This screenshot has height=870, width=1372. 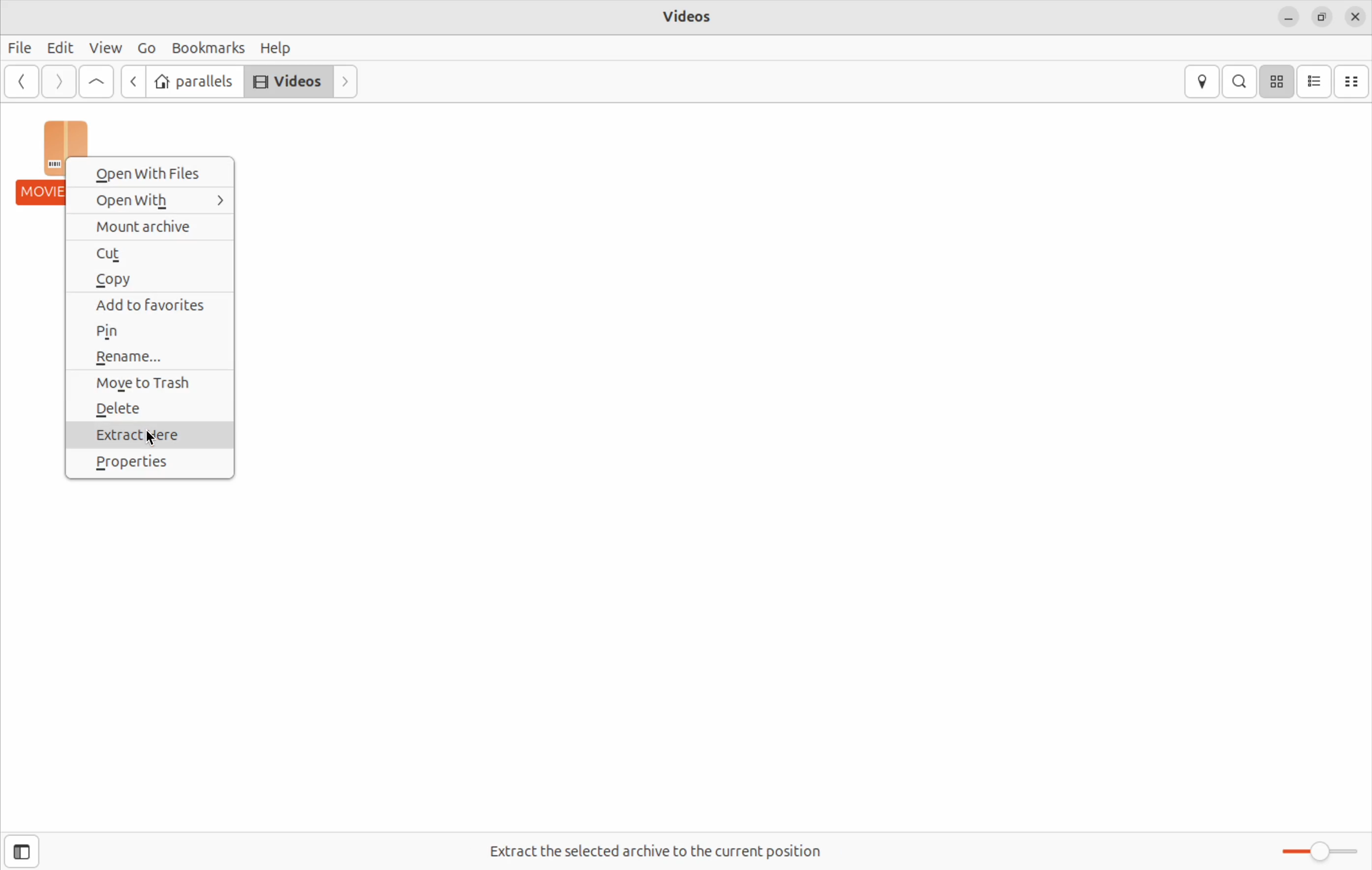 I want to click on pin, so click(x=152, y=332).